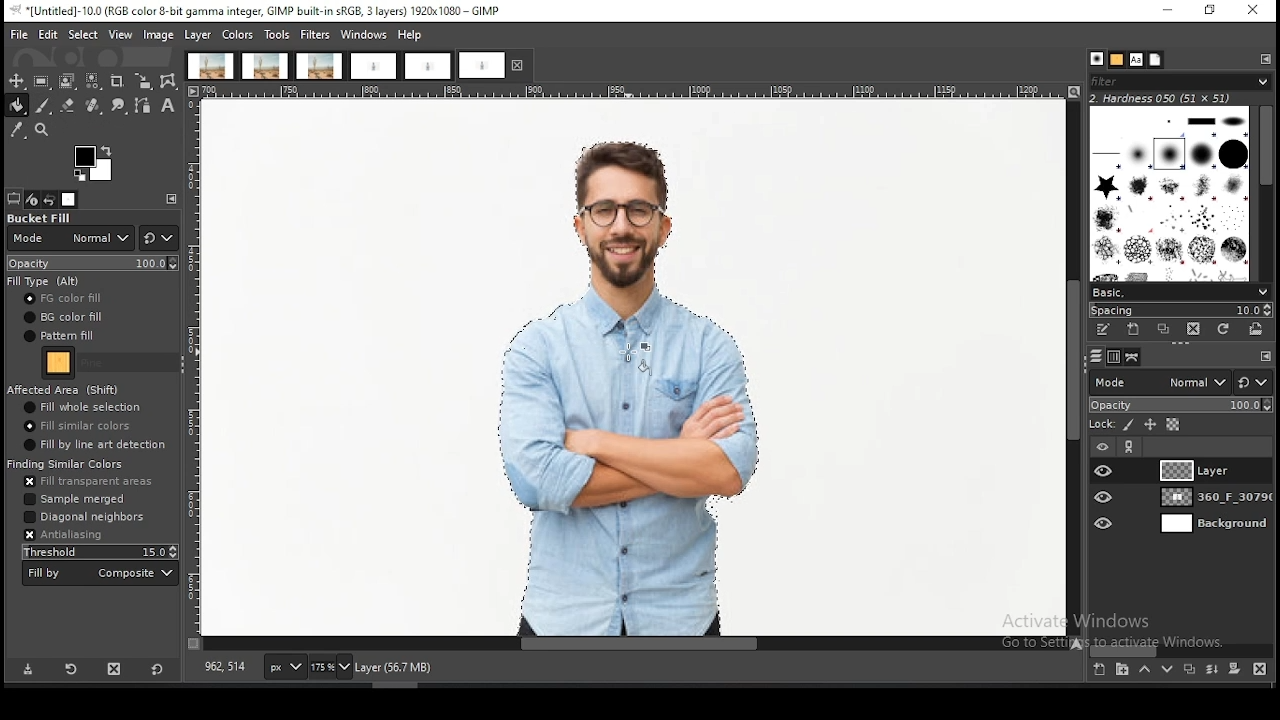 This screenshot has width=1280, height=720. I want to click on tool options, so click(14, 199).